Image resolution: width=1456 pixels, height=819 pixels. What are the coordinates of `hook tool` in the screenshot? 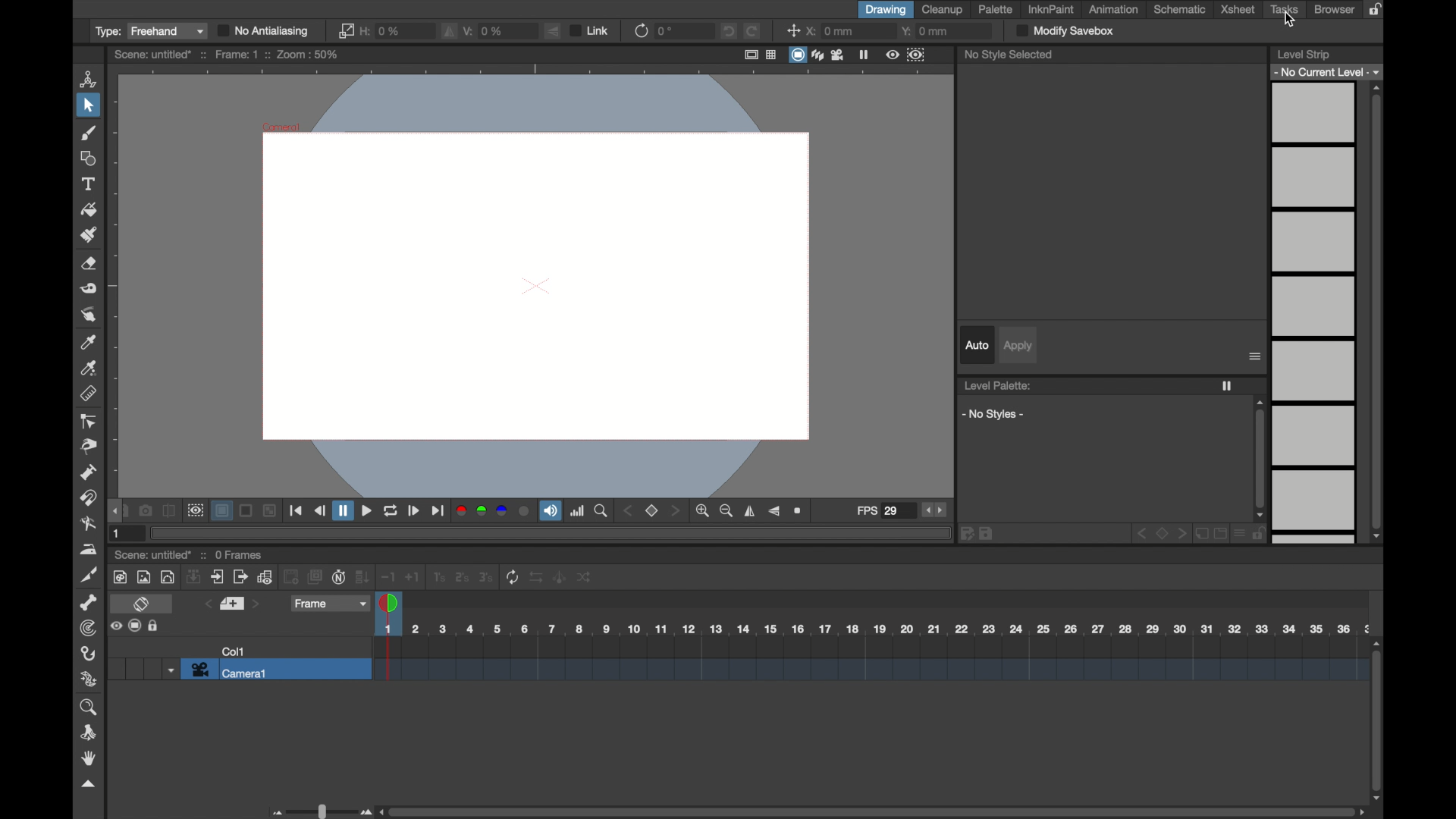 It's located at (90, 654).